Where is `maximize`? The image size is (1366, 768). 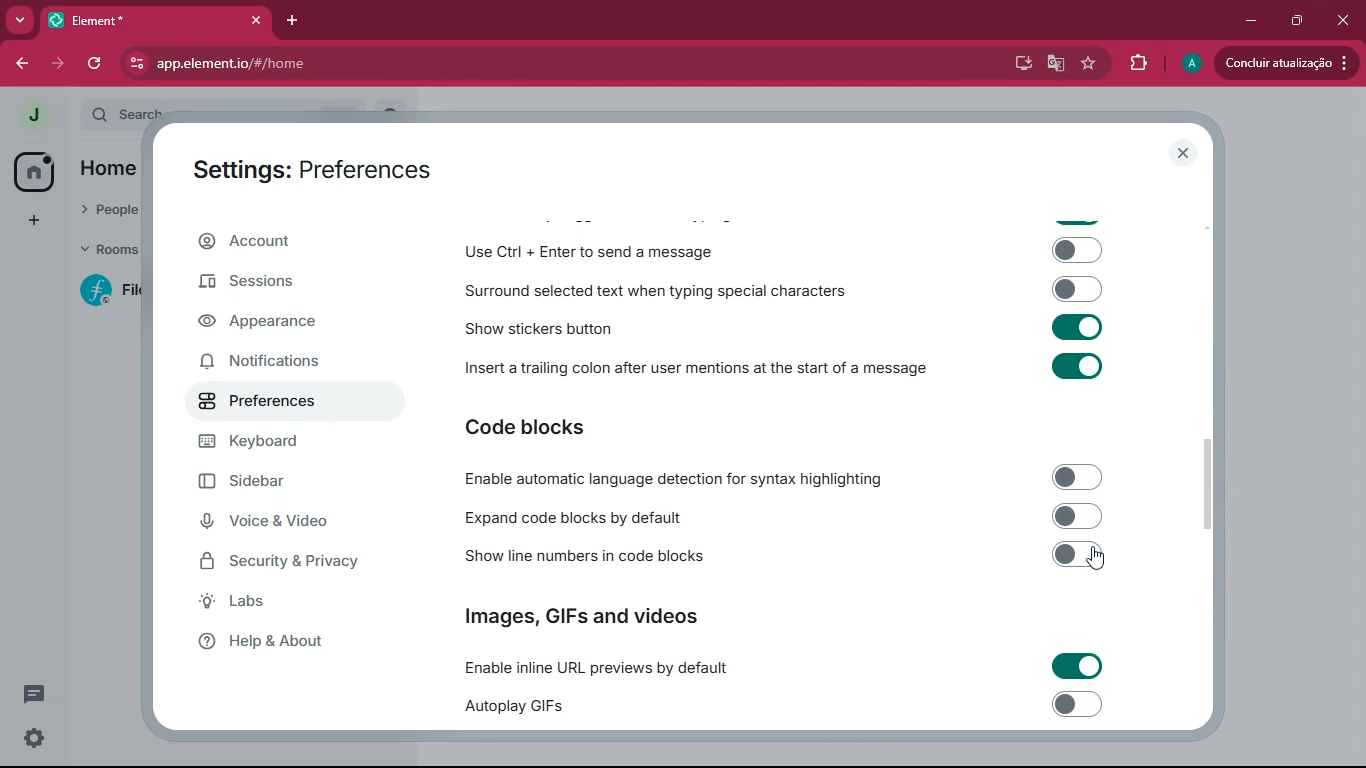
maximize is located at coordinates (1299, 22).